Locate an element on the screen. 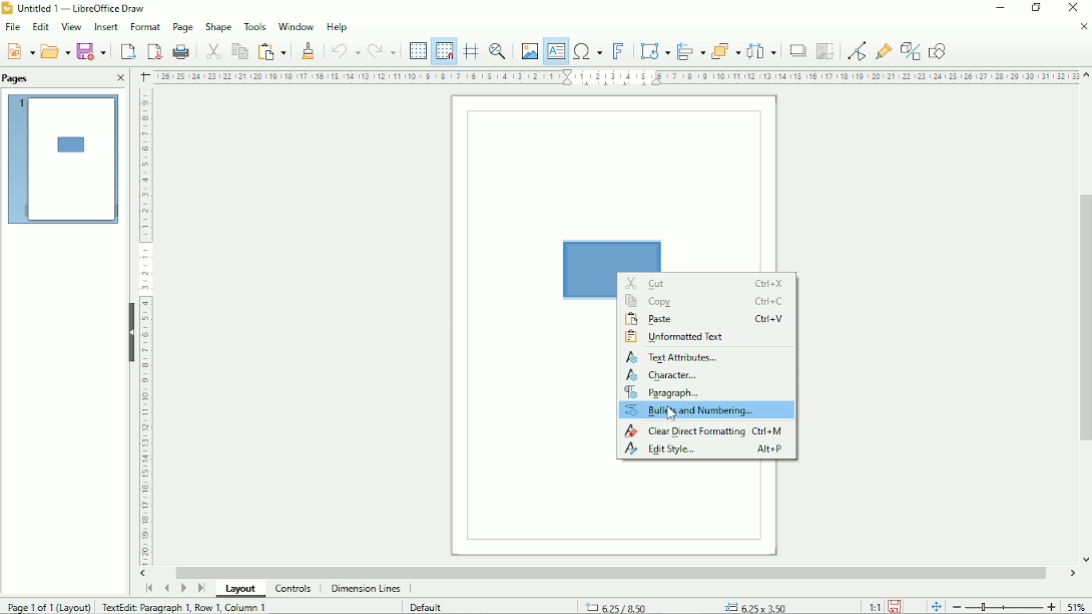 The width and height of the screenshot is (1092, 614). Zoom out/in is located at coordinates (1005, 607).